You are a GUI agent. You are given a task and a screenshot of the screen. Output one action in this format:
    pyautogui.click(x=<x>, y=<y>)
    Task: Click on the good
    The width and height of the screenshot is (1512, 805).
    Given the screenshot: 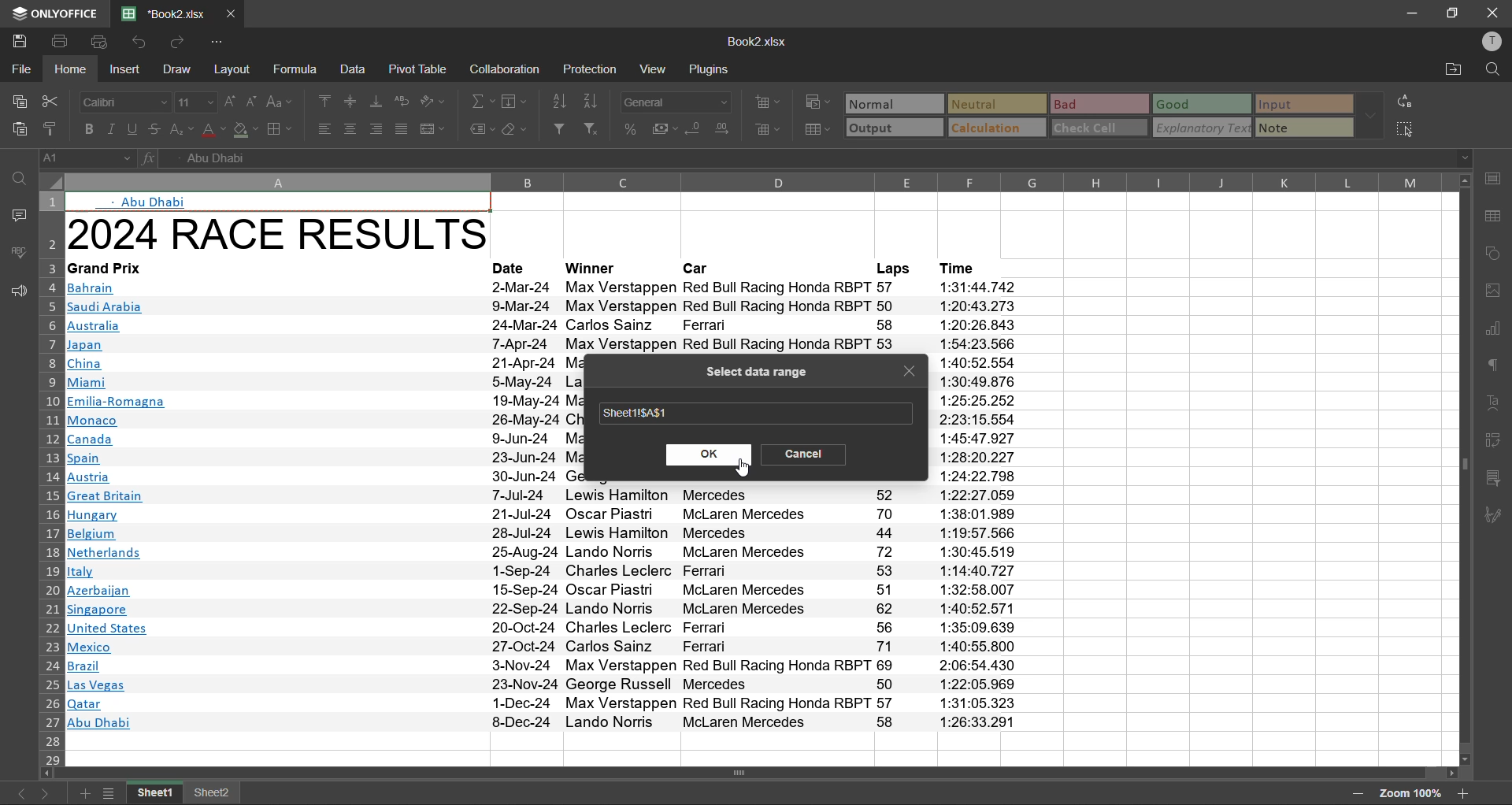 What is the action you would take?
    pyautogui.click(x=1180, y=103)
    